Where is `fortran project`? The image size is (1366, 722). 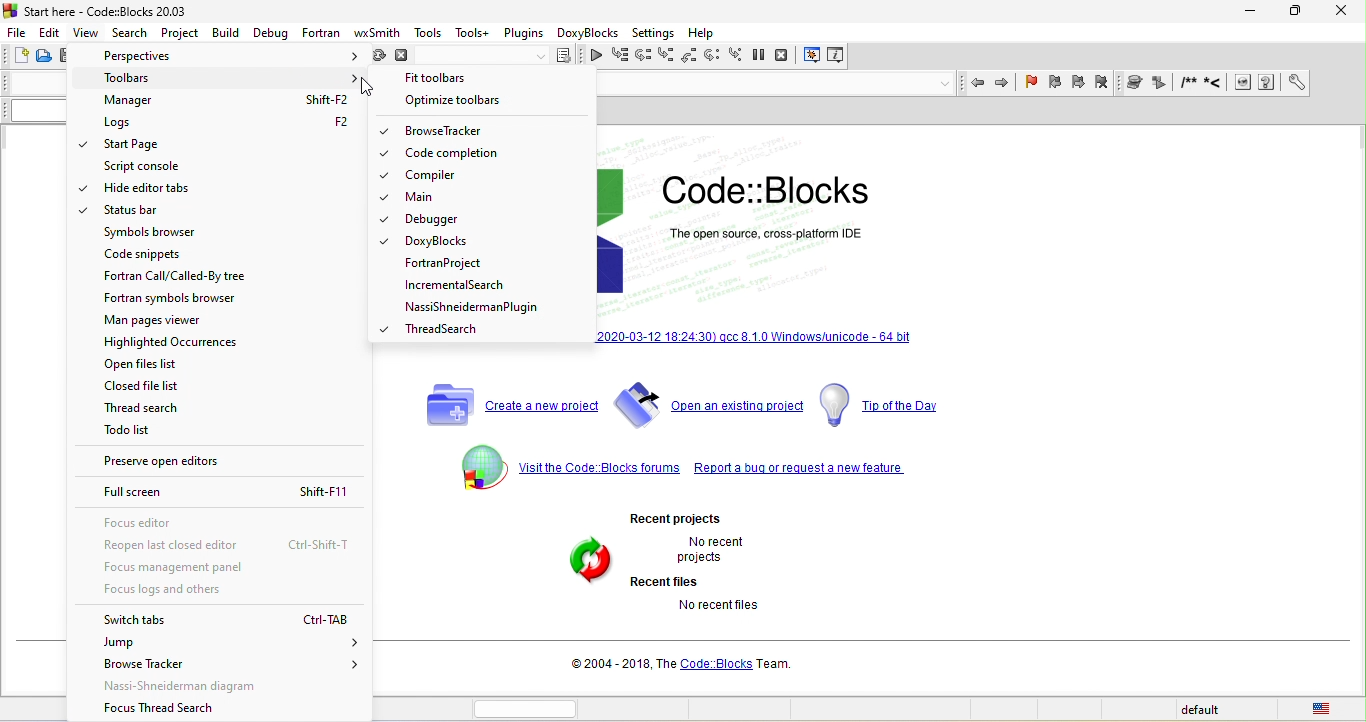
fortran project is located at coordinates (447, 266).